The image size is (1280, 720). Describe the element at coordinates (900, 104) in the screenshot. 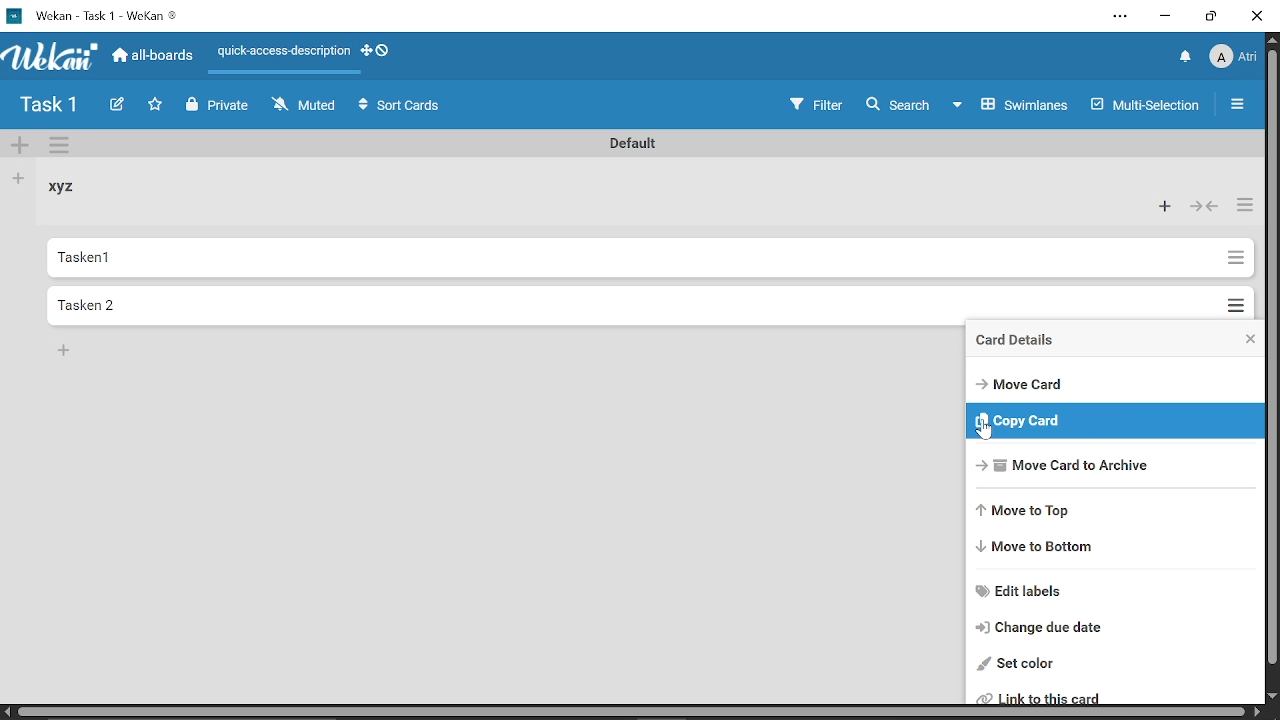

I see `Search` at that location.